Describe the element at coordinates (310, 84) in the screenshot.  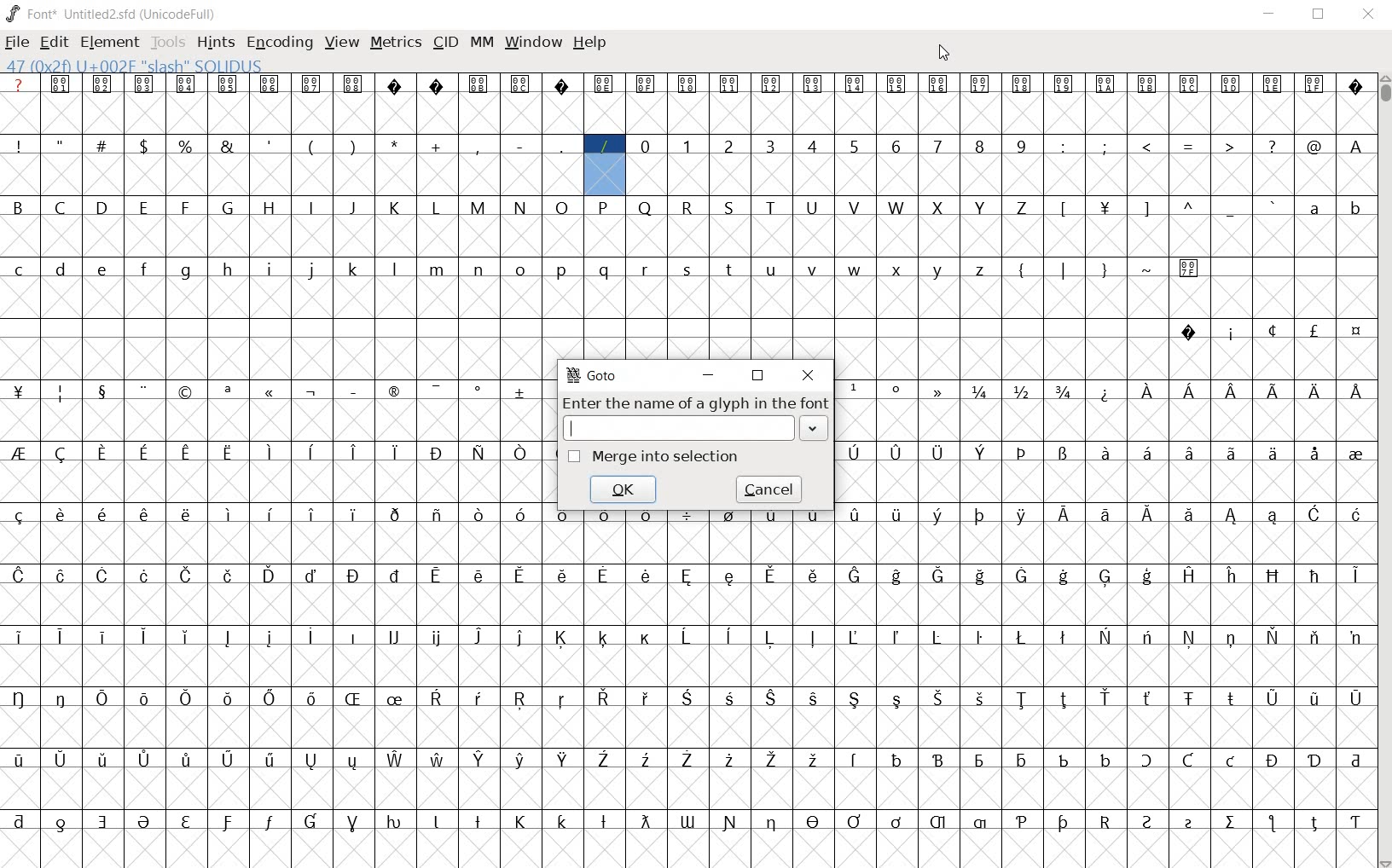
I see `glyph` at that location.